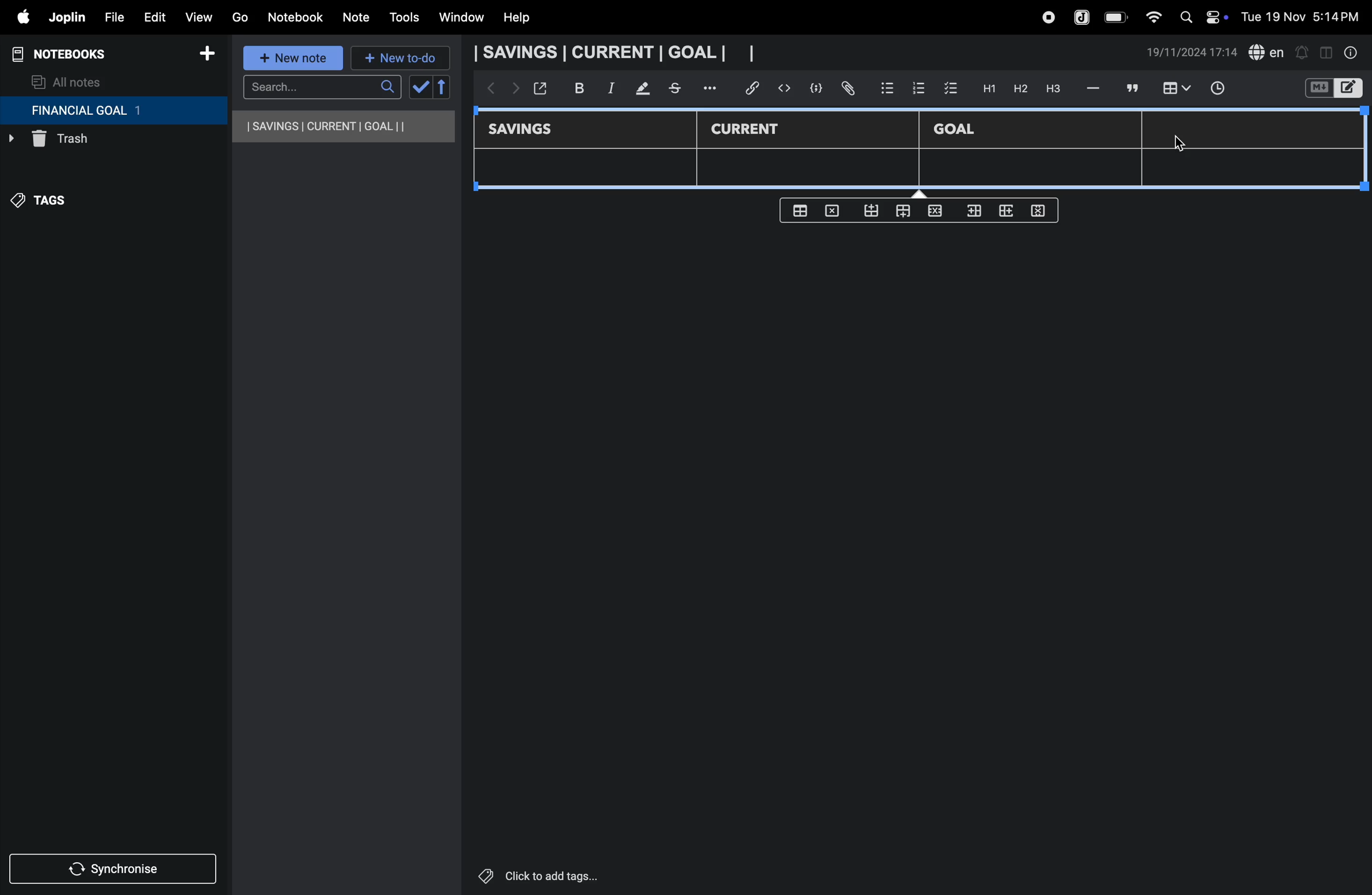  What do you see at coordinates (756, 88) in the screenshot?
I see `hyper link` at bounding box center [756, 88].